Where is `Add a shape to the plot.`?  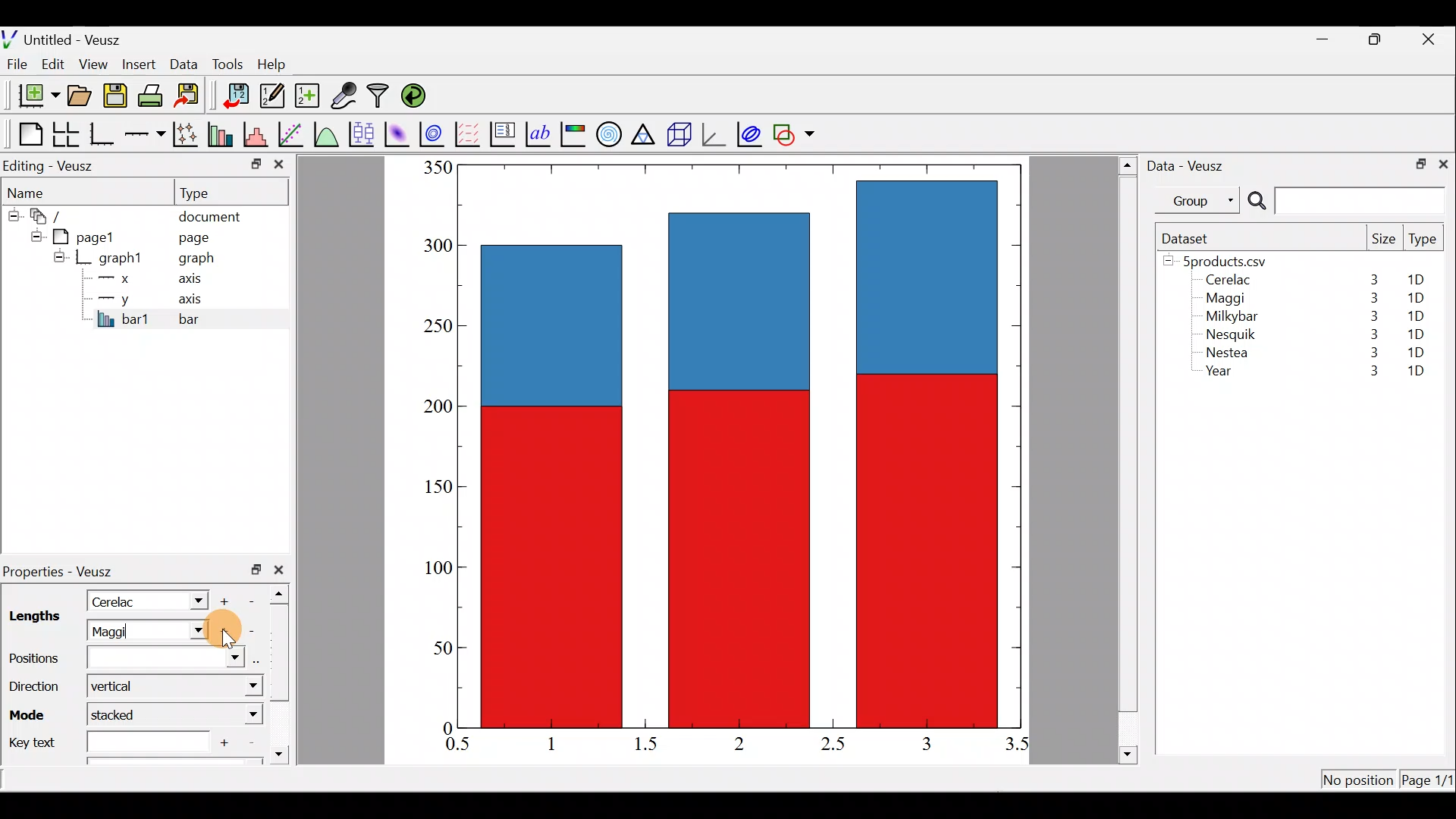 Add a shape to the plot. is located at coordinates (795, 132).